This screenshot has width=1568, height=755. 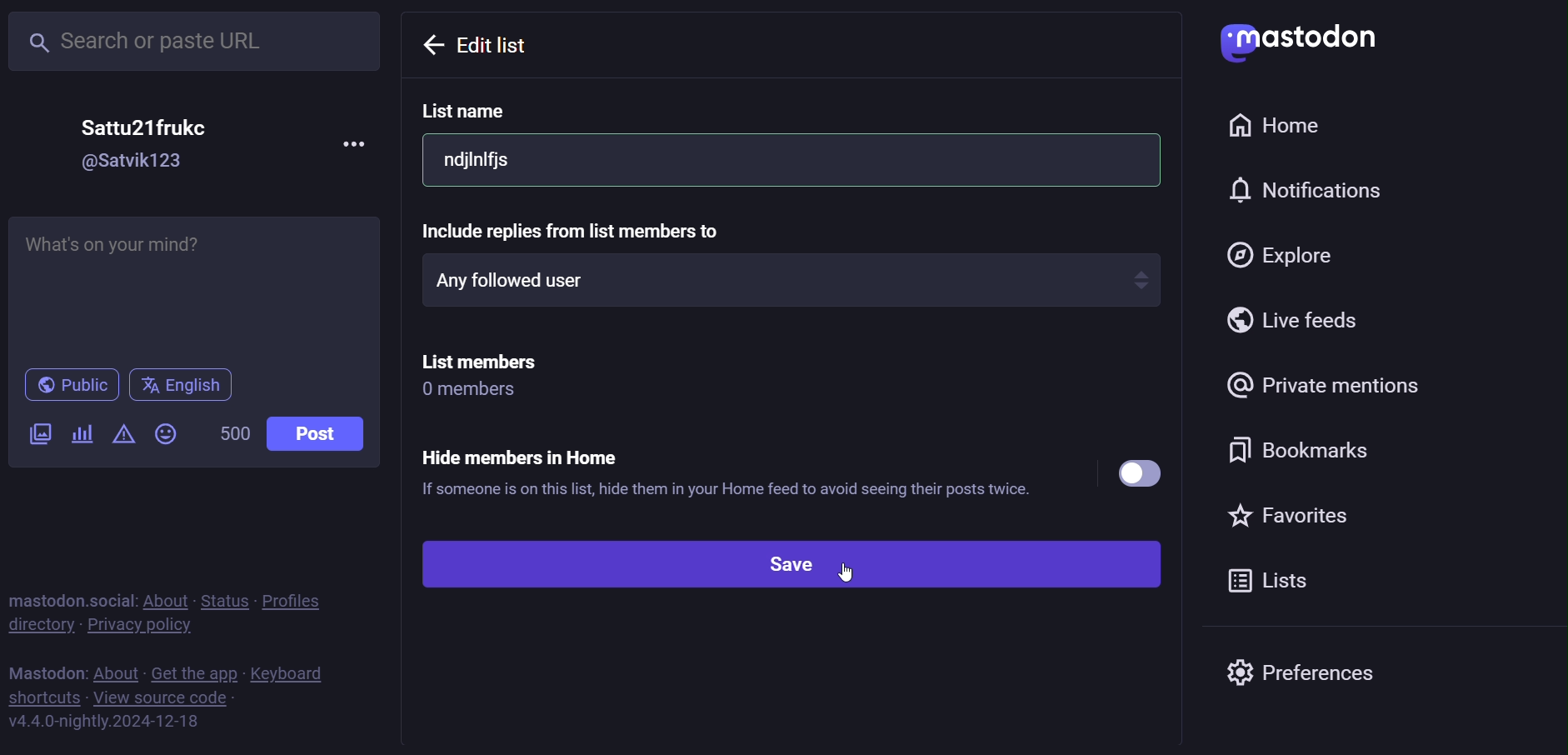 What do you see at coordinates (148, 124) in the screenshot?
I see `Sattu21frukc` at bounding box center [148, 124].